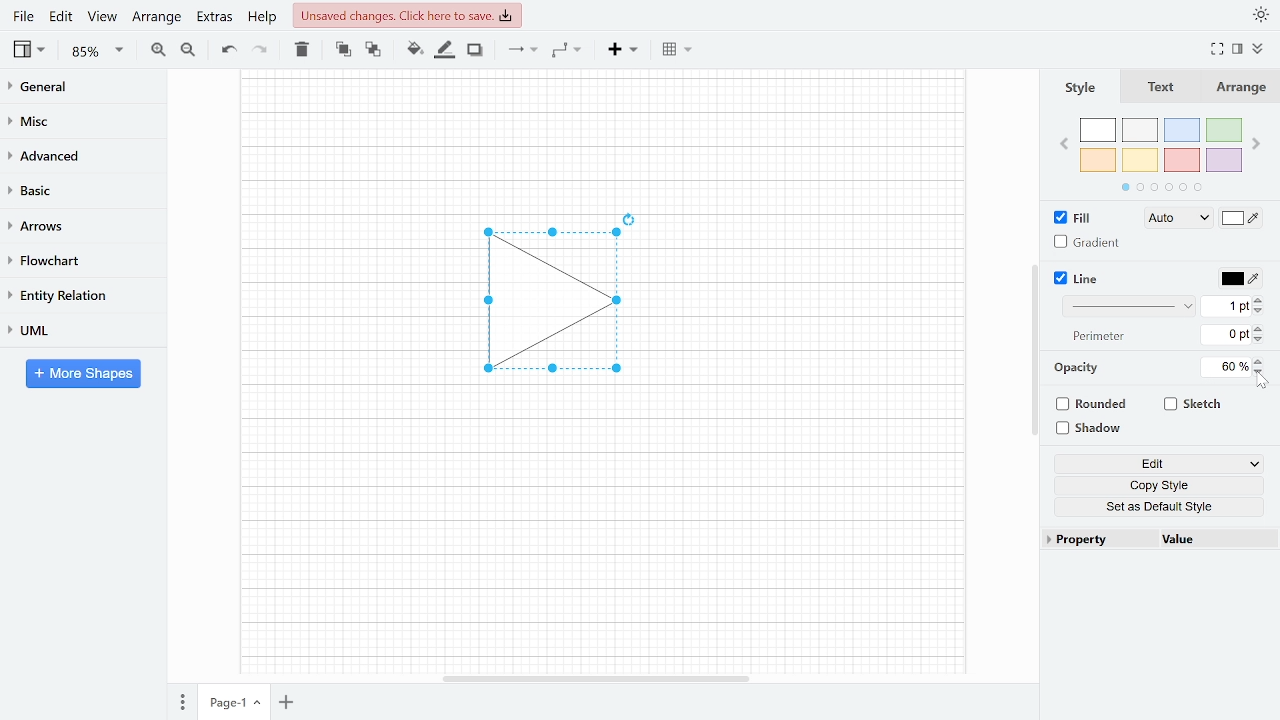  Describe the element at coordinates (75, 120) in the screenshot. I see `MIsc` at that location.